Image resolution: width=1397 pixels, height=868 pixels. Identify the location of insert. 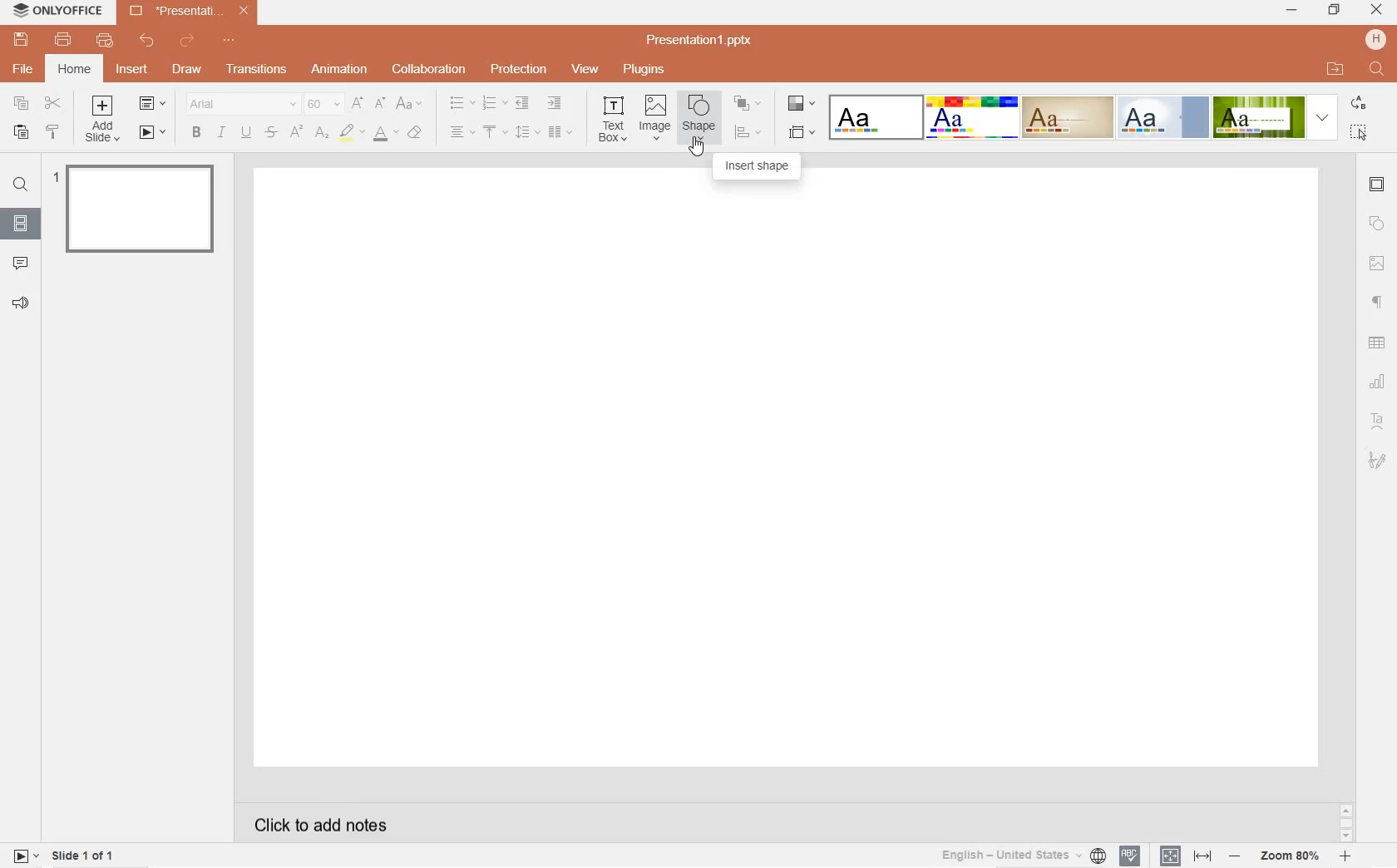
(135, 74).